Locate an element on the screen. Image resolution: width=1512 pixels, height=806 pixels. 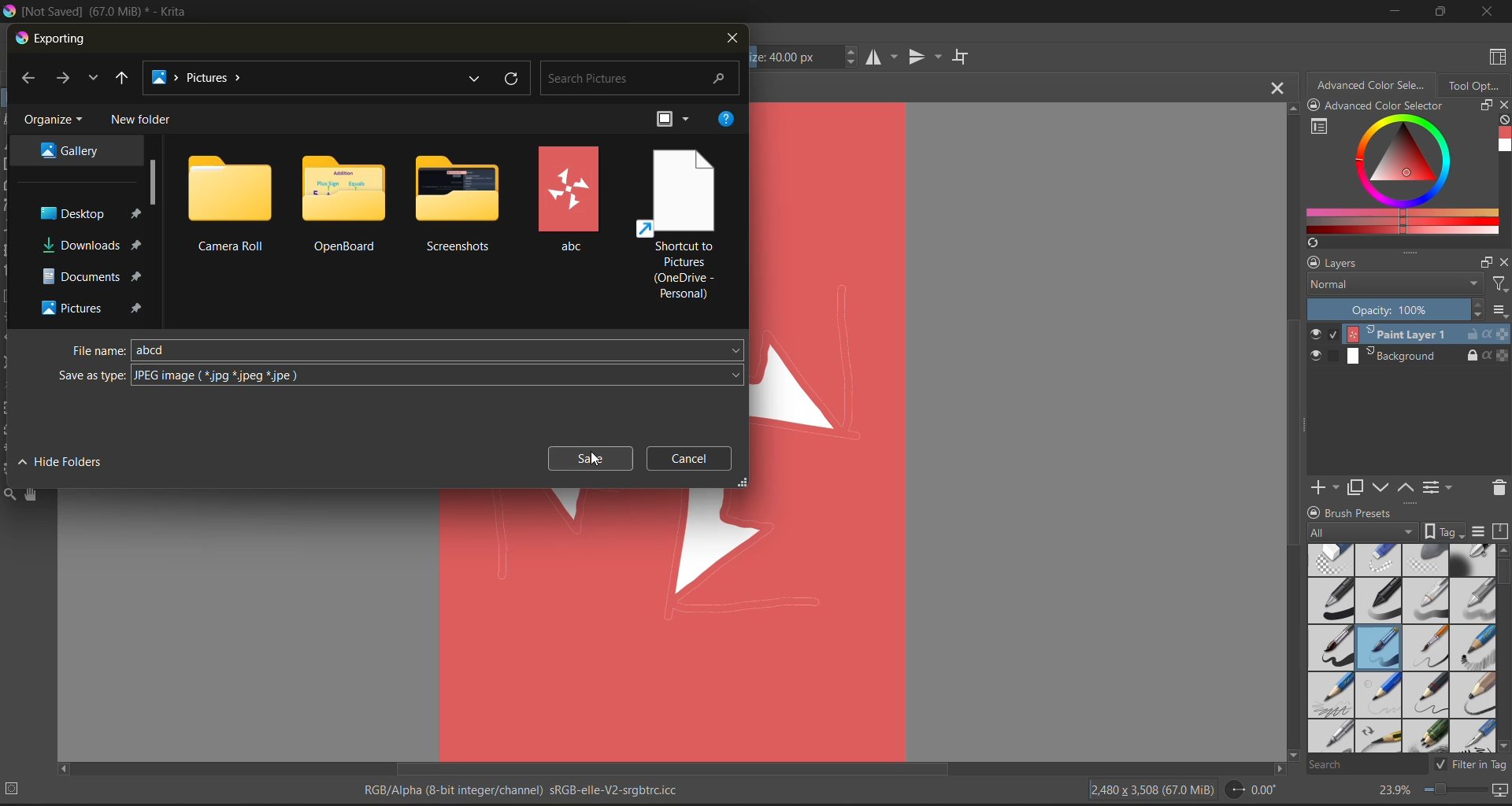
horizontal scroll bar is located at coordinates (1503, 574).